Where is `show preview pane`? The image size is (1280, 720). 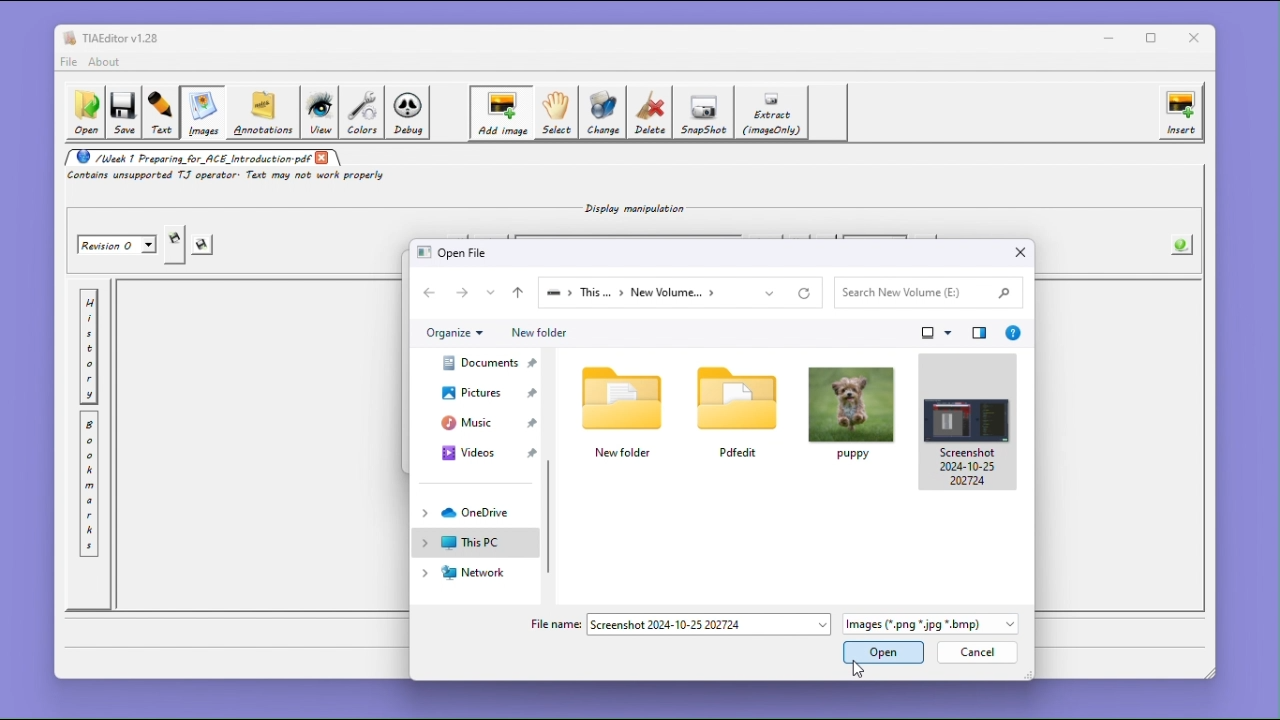
show preview pane is located at coordinates (980, 332).